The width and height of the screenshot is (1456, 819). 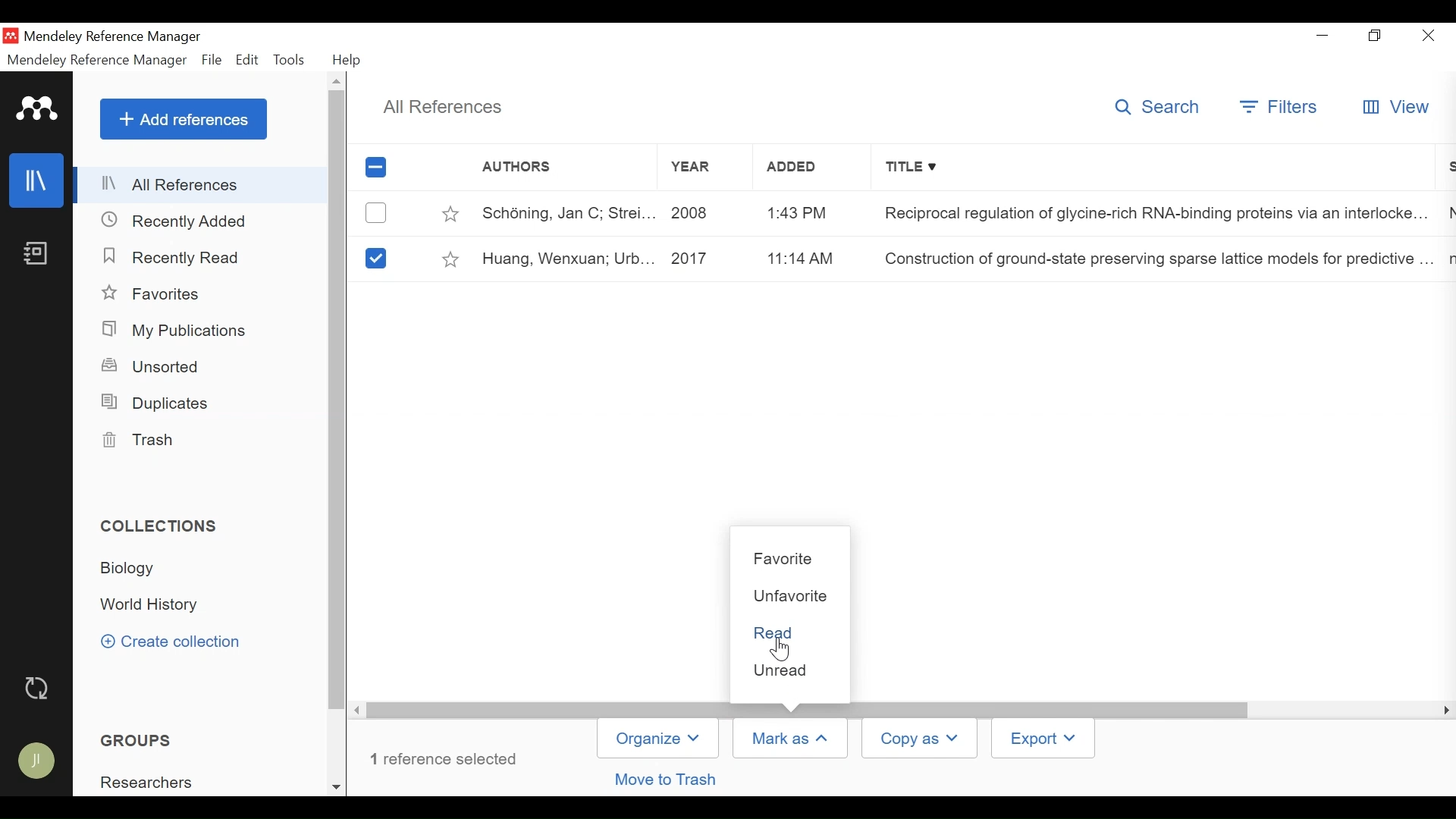 I want to click on Toggle Favorites, so click(x=450, y=260).